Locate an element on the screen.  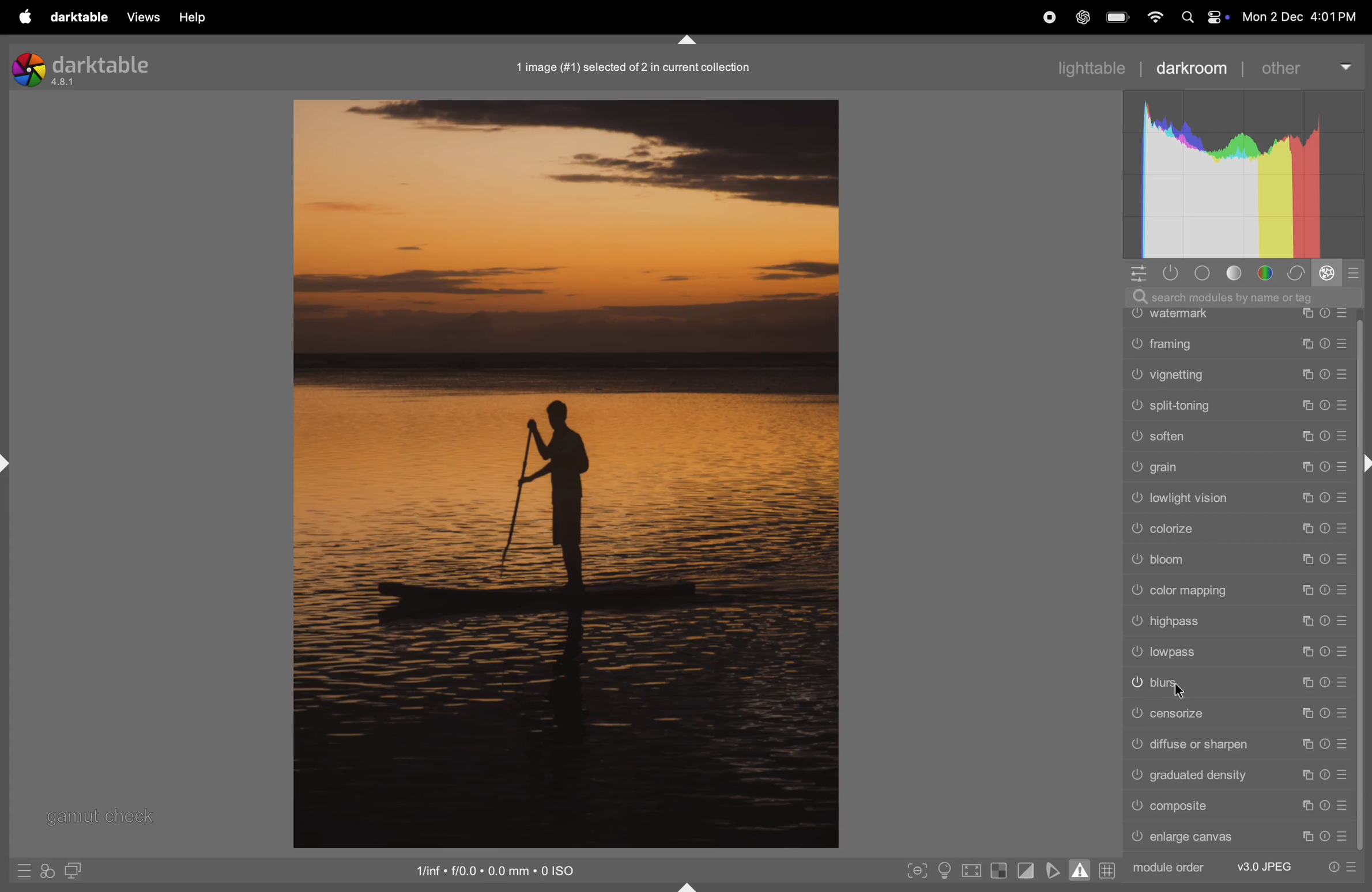
toggle clipping indication is located at coordinates (1025, 872).